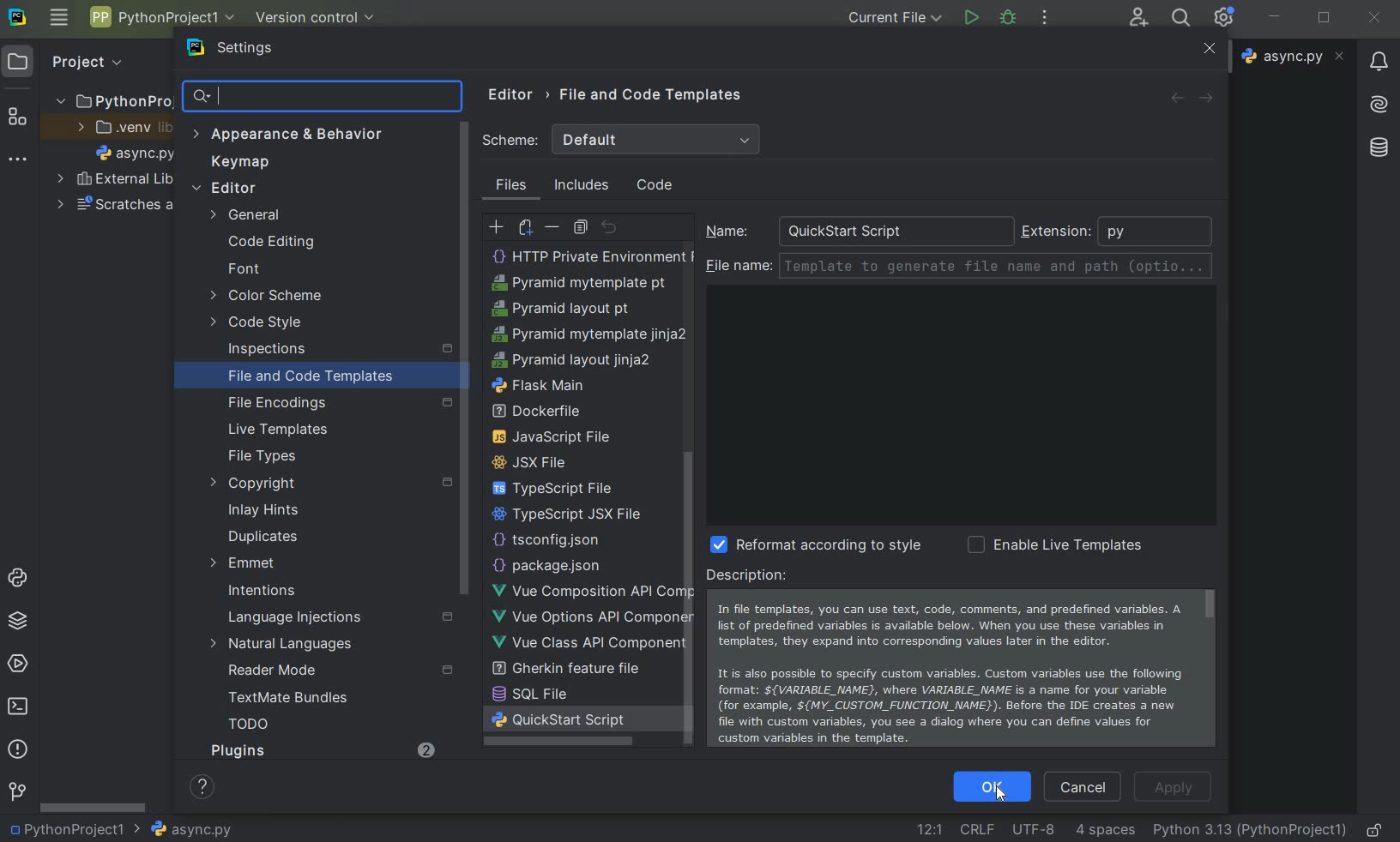 The height and width of the screenshot is (842, 1400). I want to click on enable live template, so click(1056, 547).